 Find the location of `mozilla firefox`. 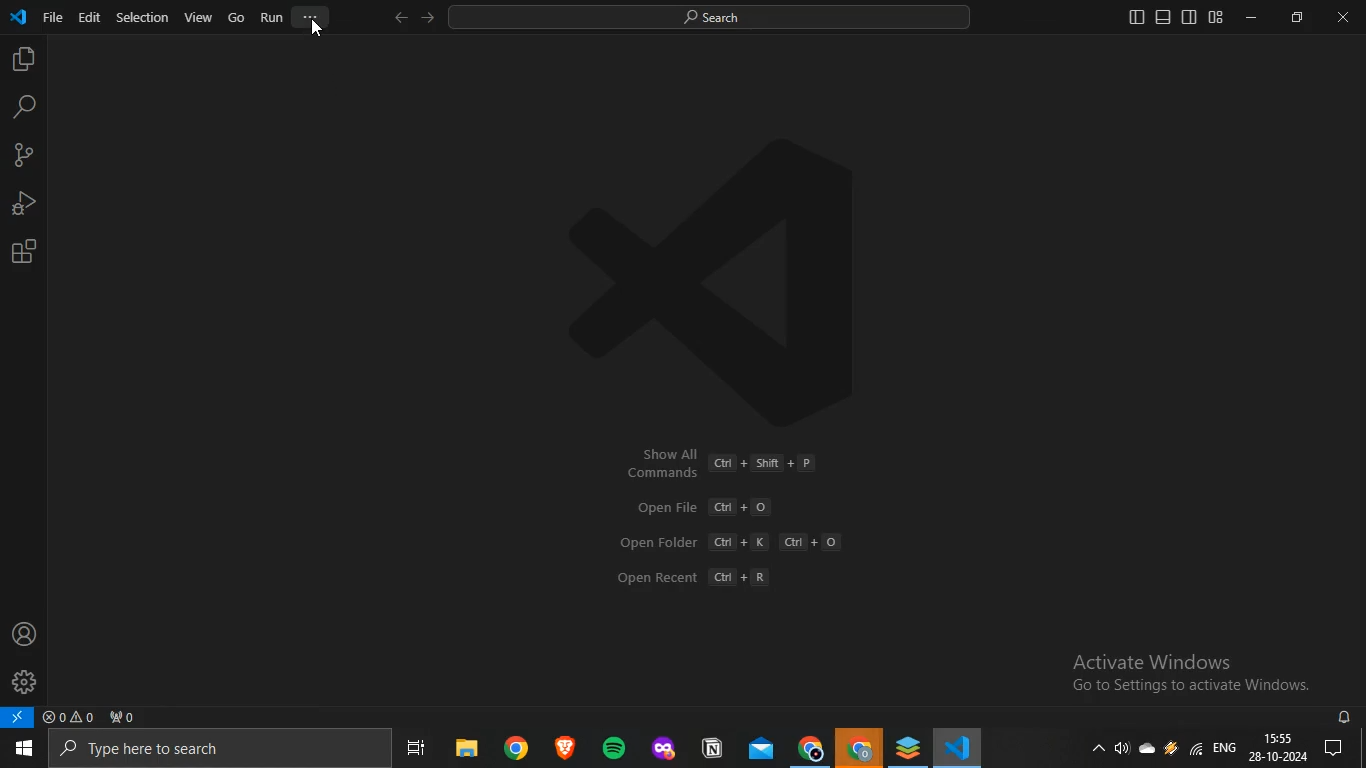

mozilla firefox is located at coordinates (662, 749).